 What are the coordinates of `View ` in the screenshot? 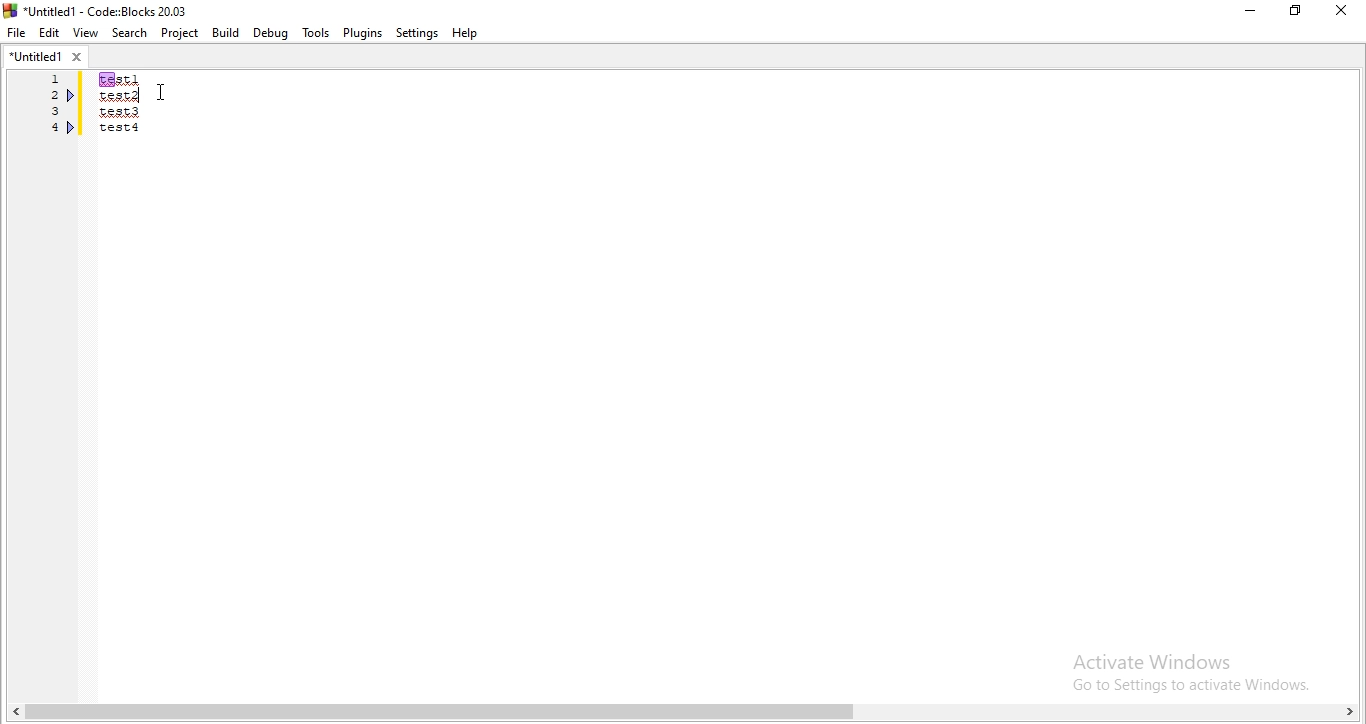 It's located at (85, 33).